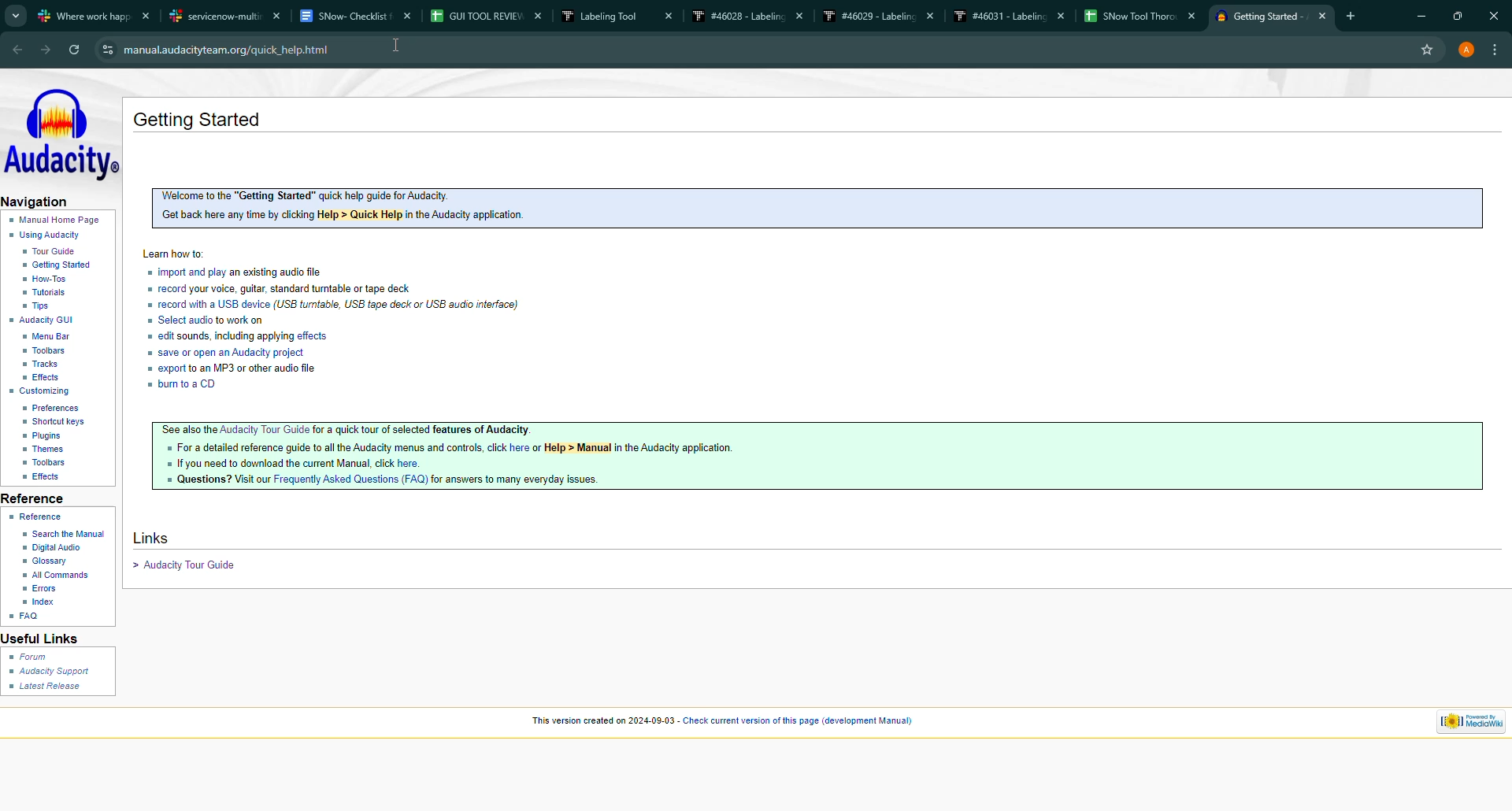 The width and height of the screenshot is (1512, 811). Describe the element at coordinates (257, 368) in the screenshot. I see `to an MP3 or other audio file` at that location.